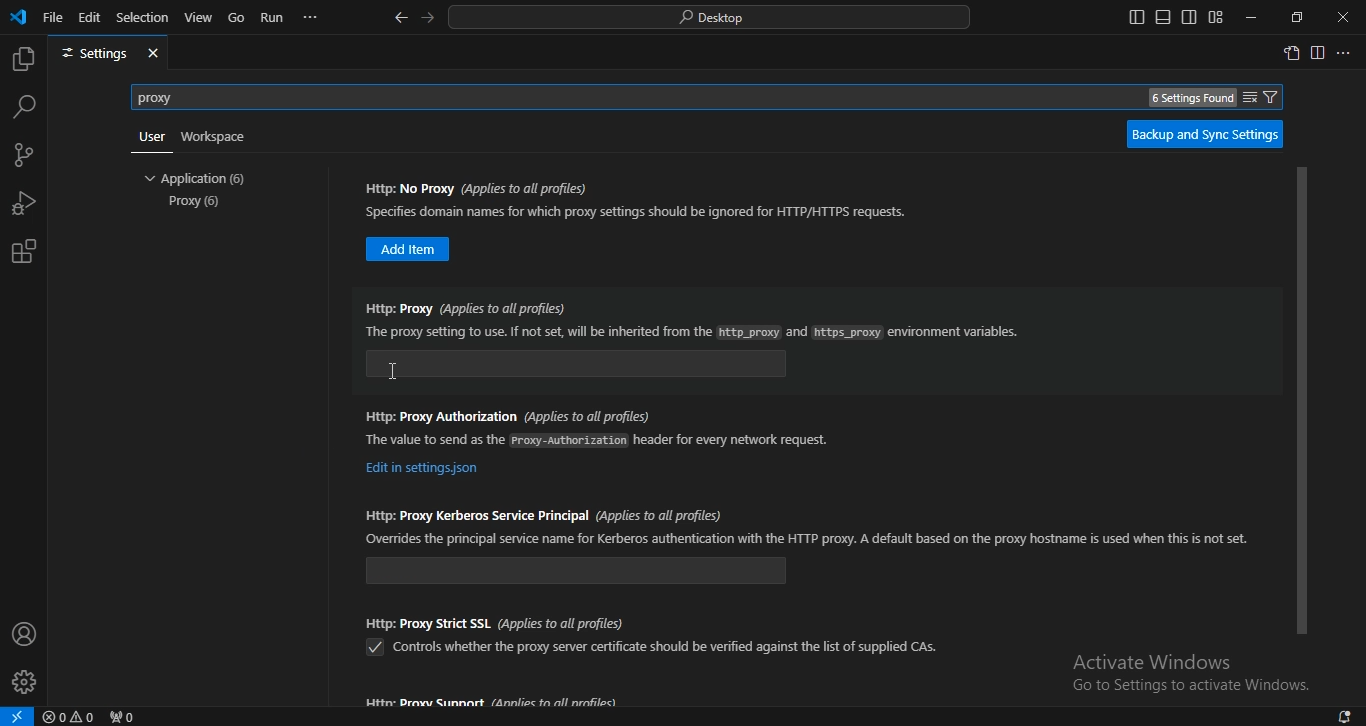 Image resolution: width=1366 pixels, height=726 pixels. I want to click on minimize, so click(1253, 19).